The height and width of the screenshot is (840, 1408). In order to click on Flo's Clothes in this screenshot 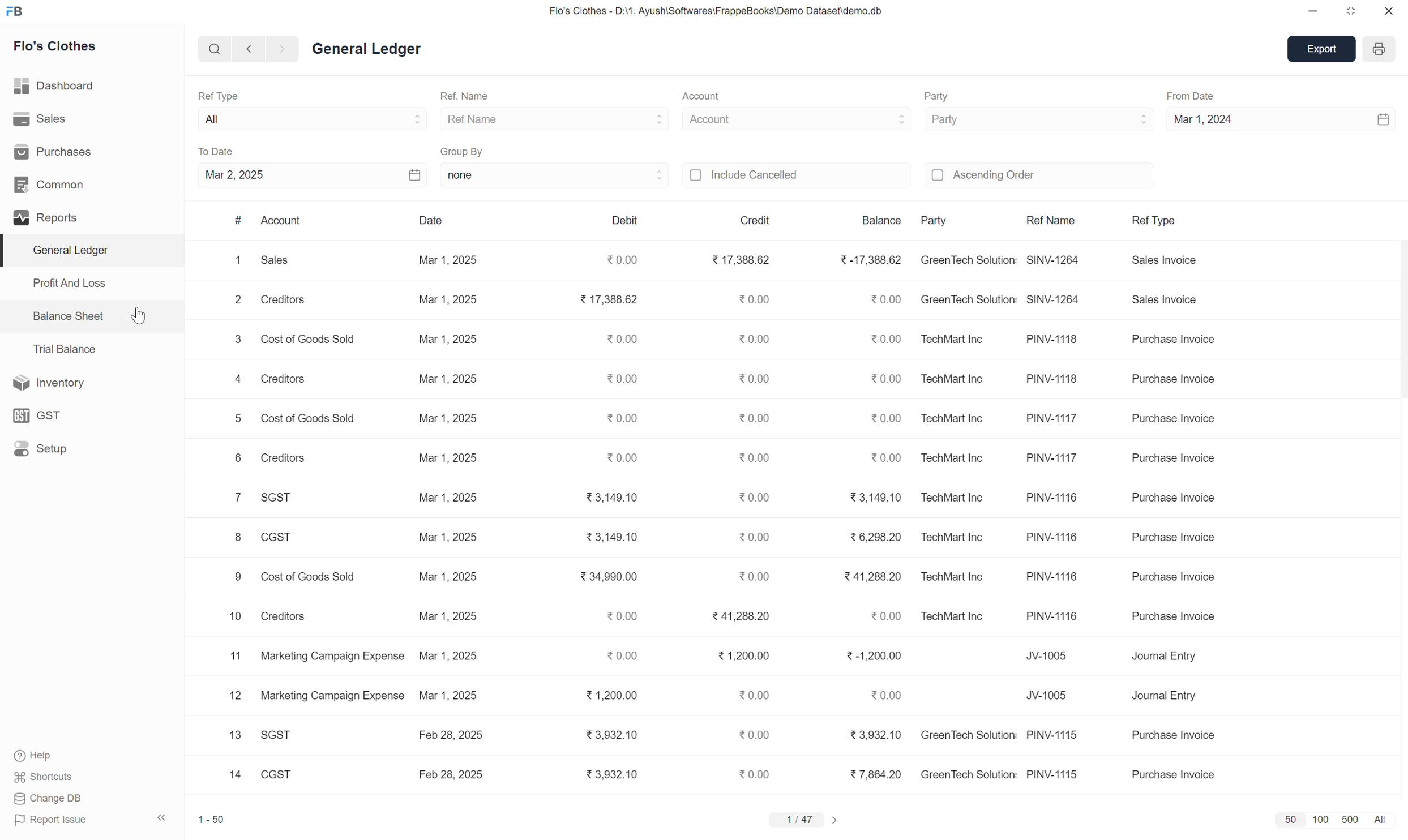, I will do `click(58, 46)`.